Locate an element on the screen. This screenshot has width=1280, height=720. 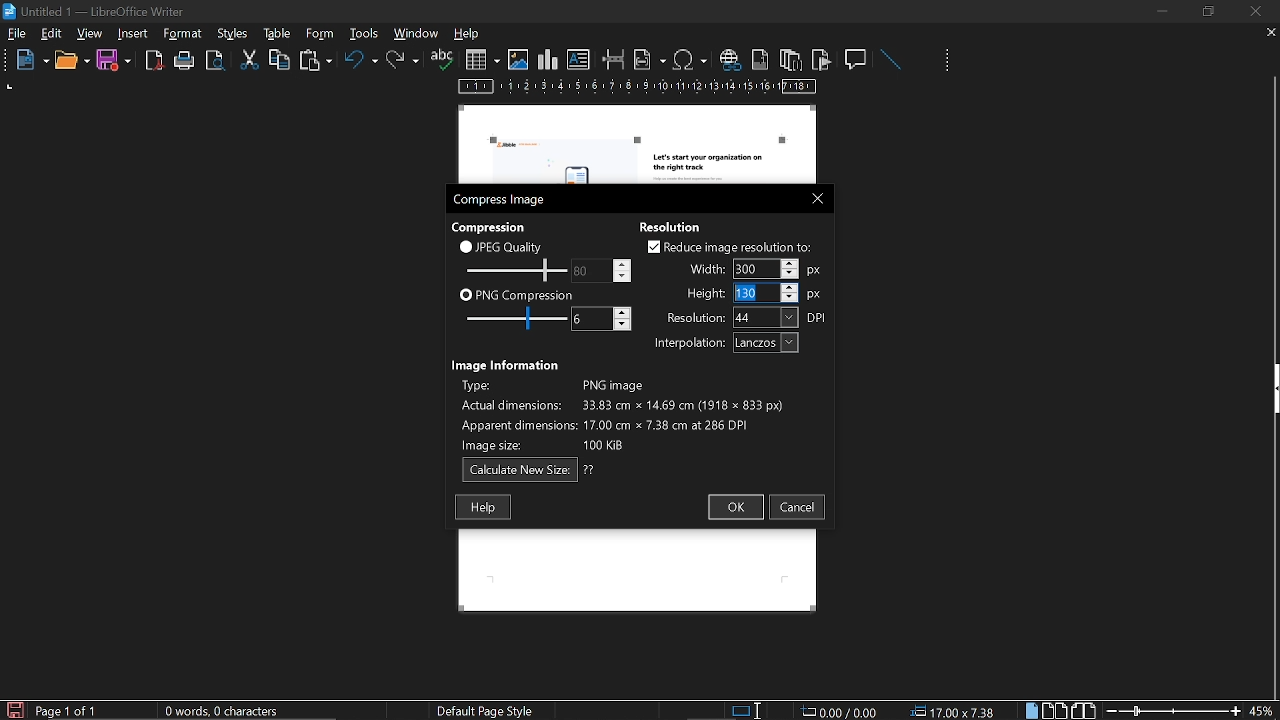
format is located at coordinates (231, 32).